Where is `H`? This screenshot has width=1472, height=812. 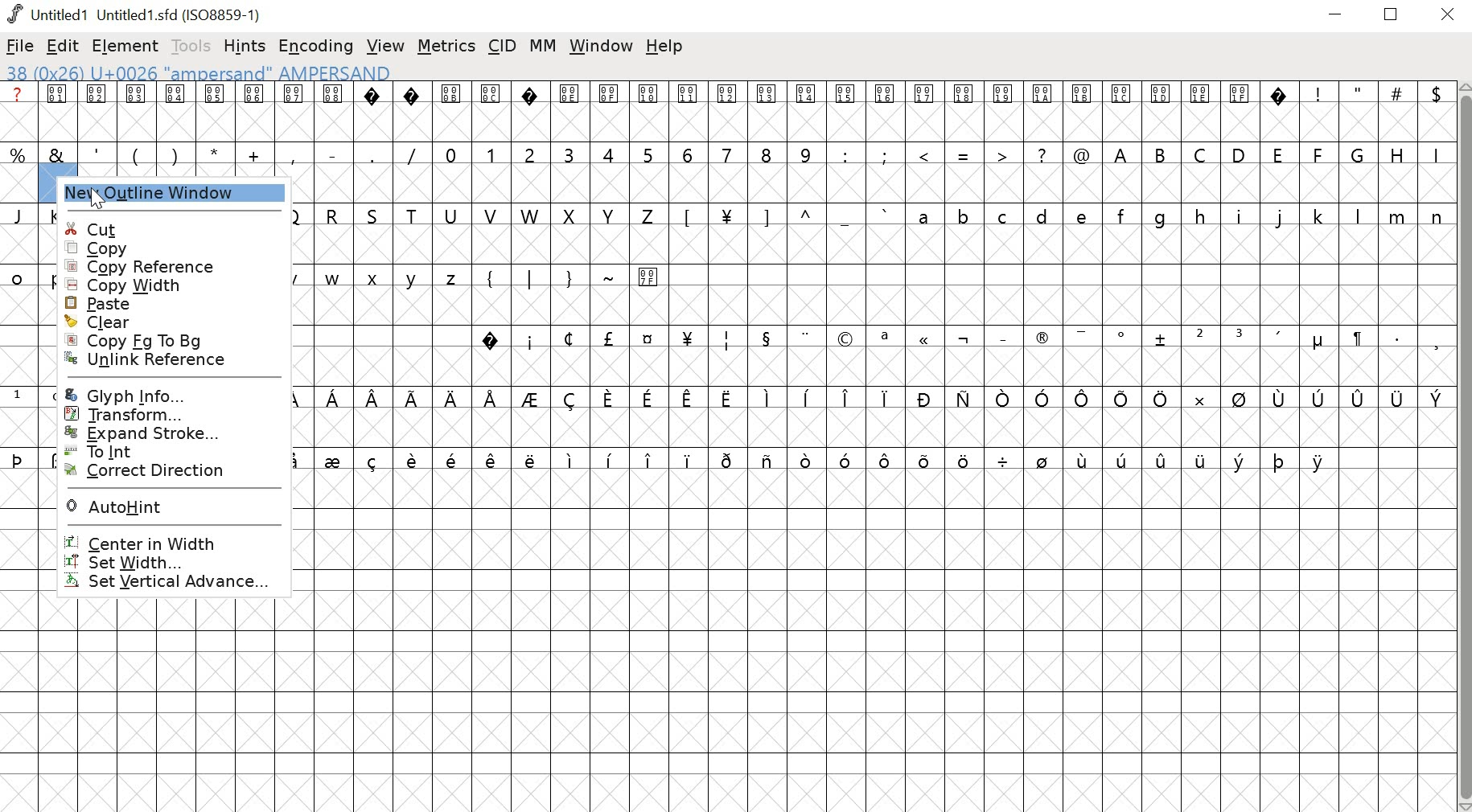 H is located at coordinates (1397, 153).